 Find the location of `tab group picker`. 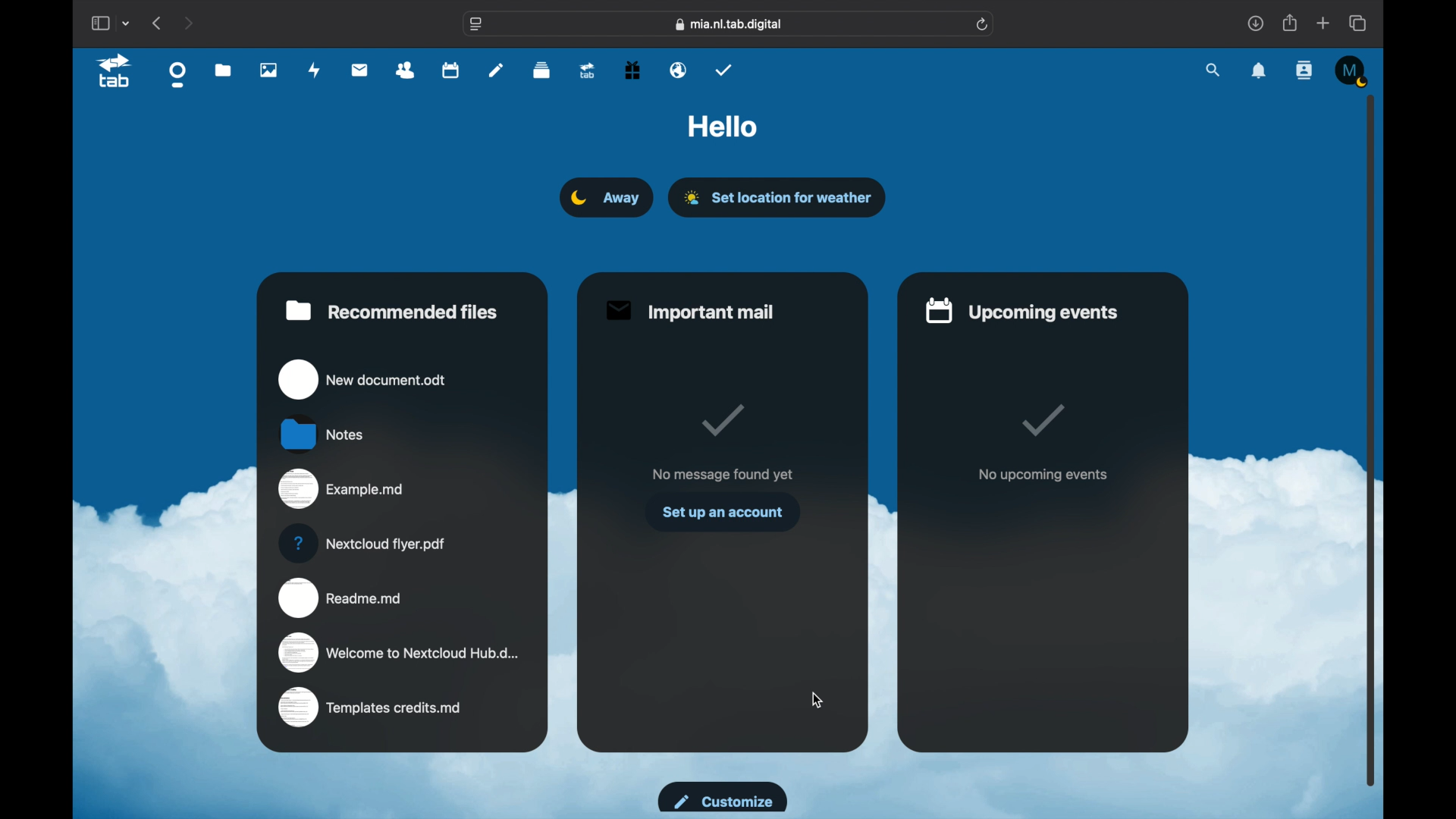

tab group picker is located at coordinates (127, 23).